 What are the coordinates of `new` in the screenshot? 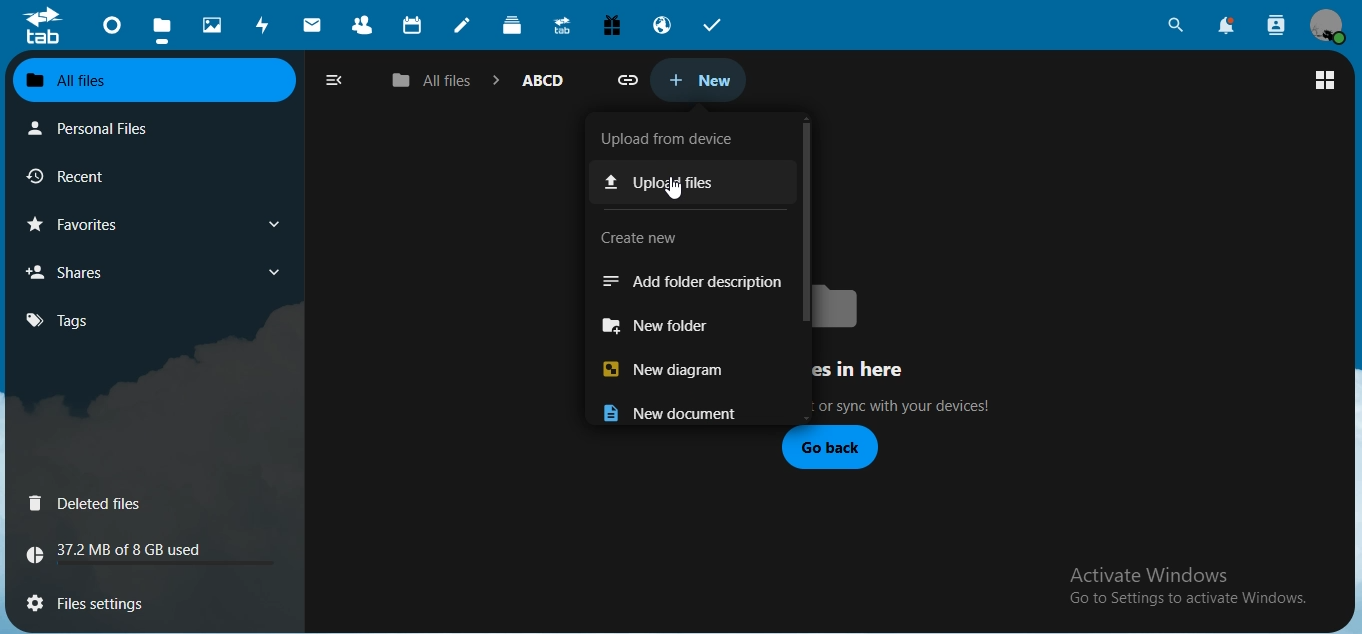 It's located at (696, 79).